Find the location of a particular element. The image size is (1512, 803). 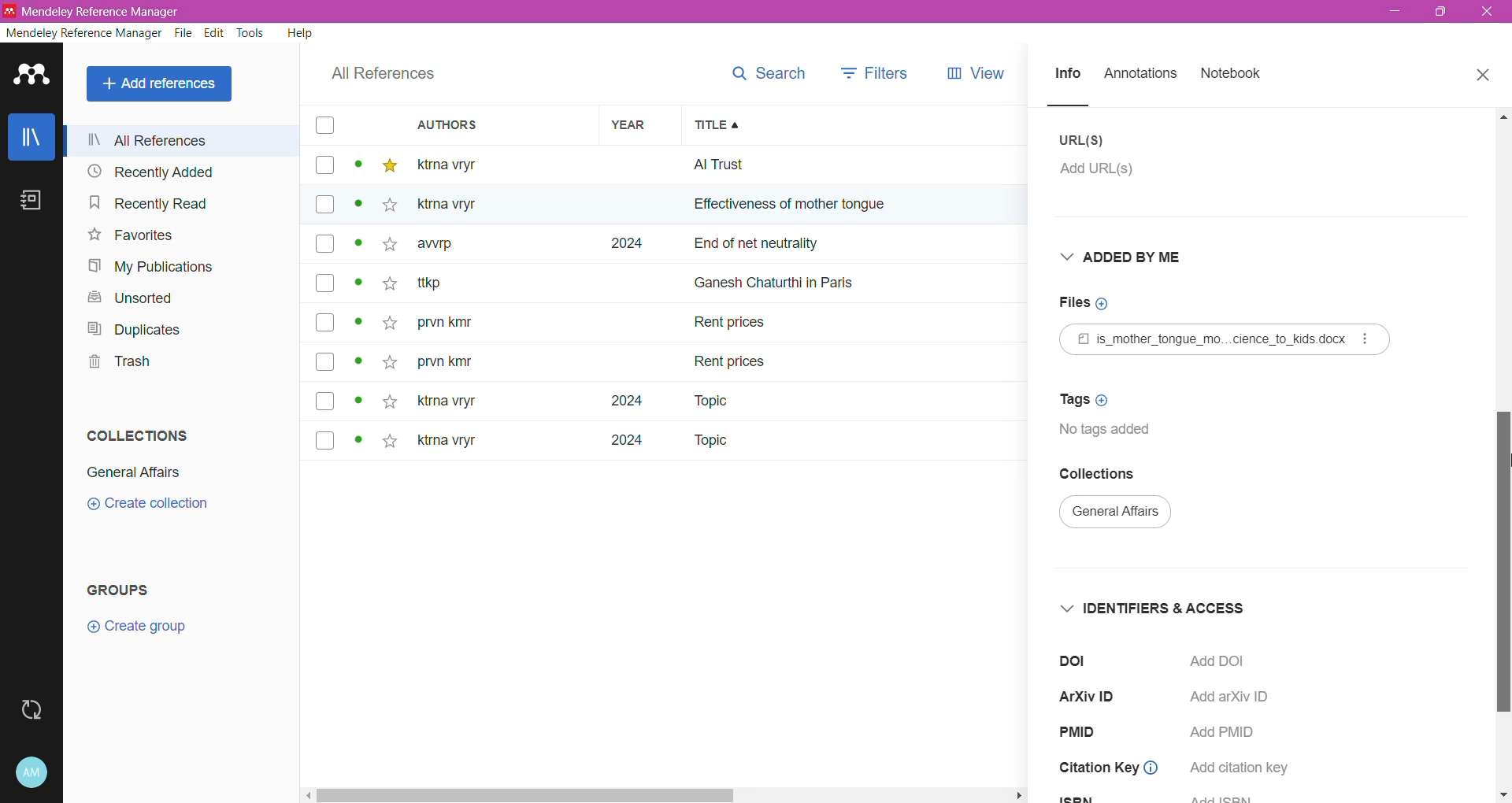

prvn kity is located at coordinates (445, 364).